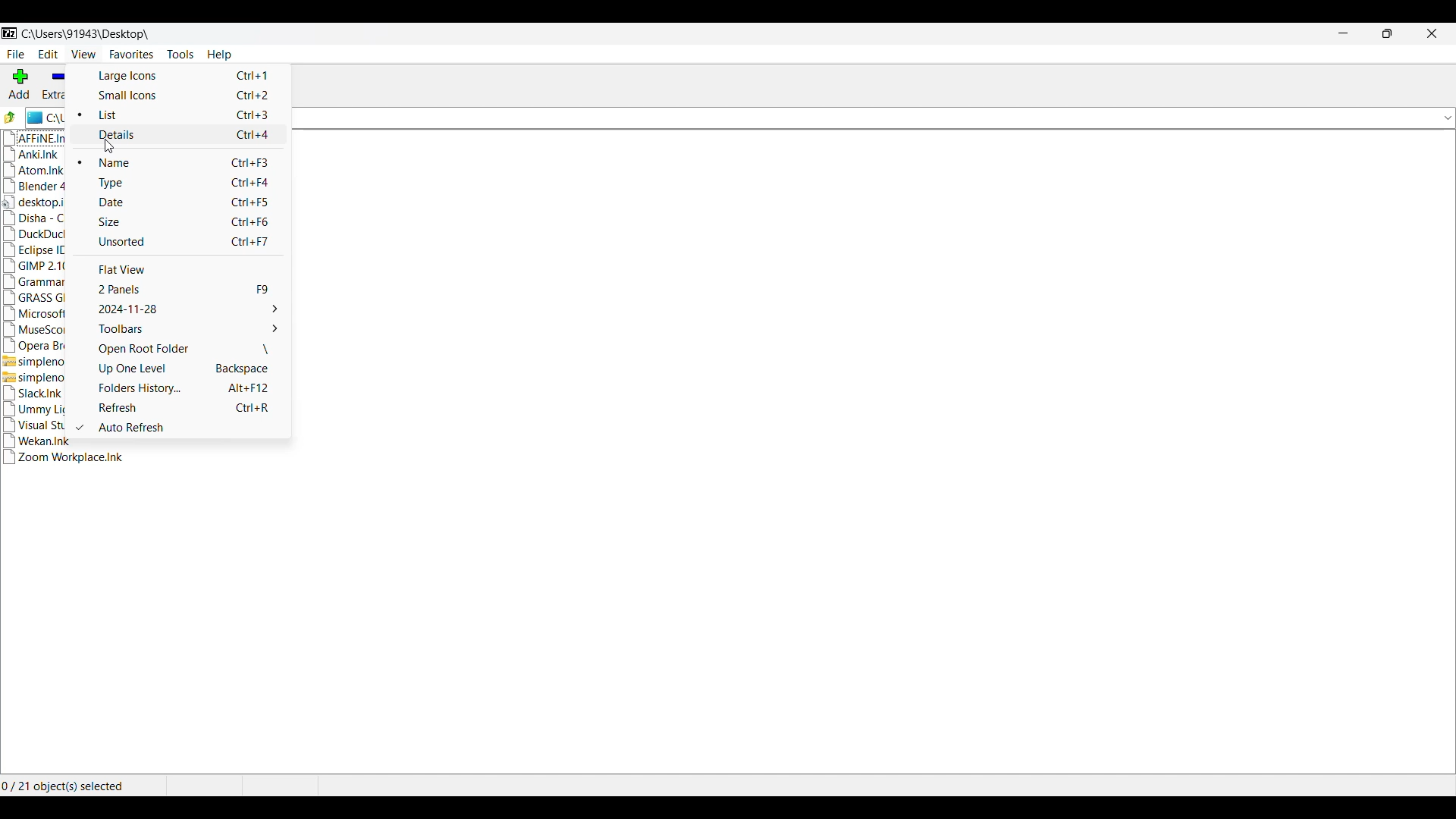 This screenshot has height=819, width=1456. I want to click on Help, so click(220, 55).